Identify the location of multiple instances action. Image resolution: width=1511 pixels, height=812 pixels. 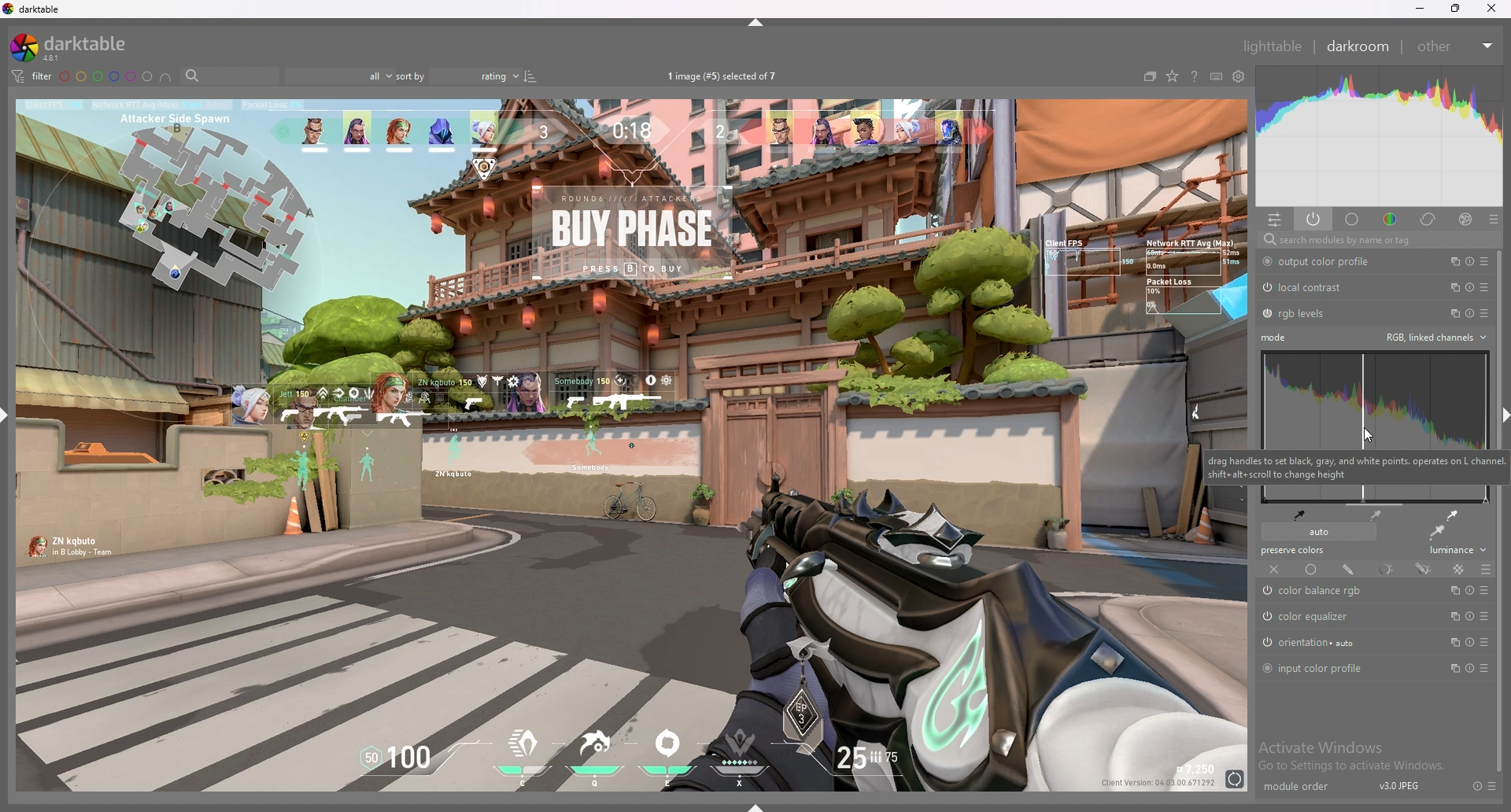
(1450, 286).